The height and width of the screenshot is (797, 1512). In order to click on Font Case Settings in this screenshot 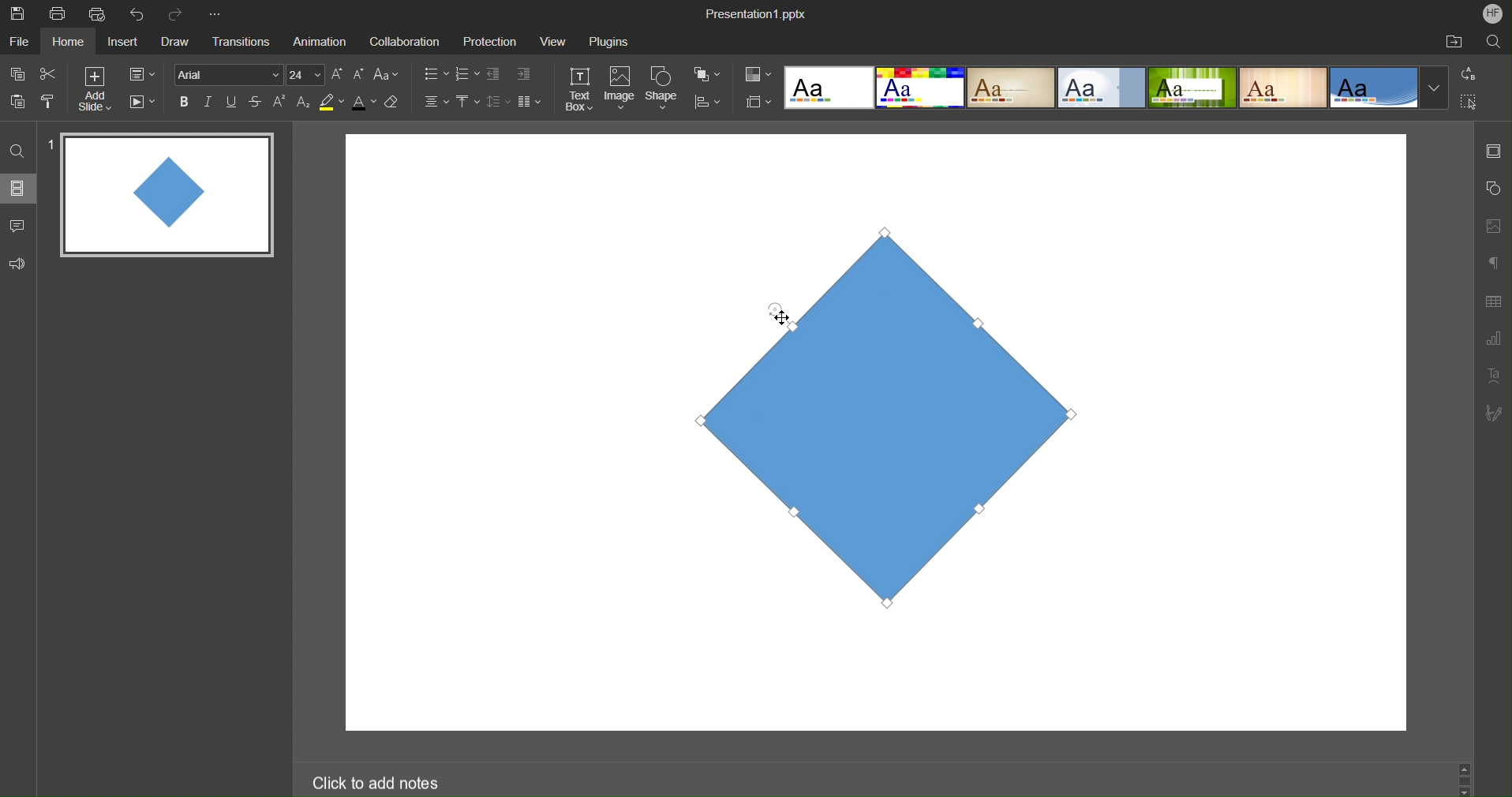, I will do `click(386, 75)`.